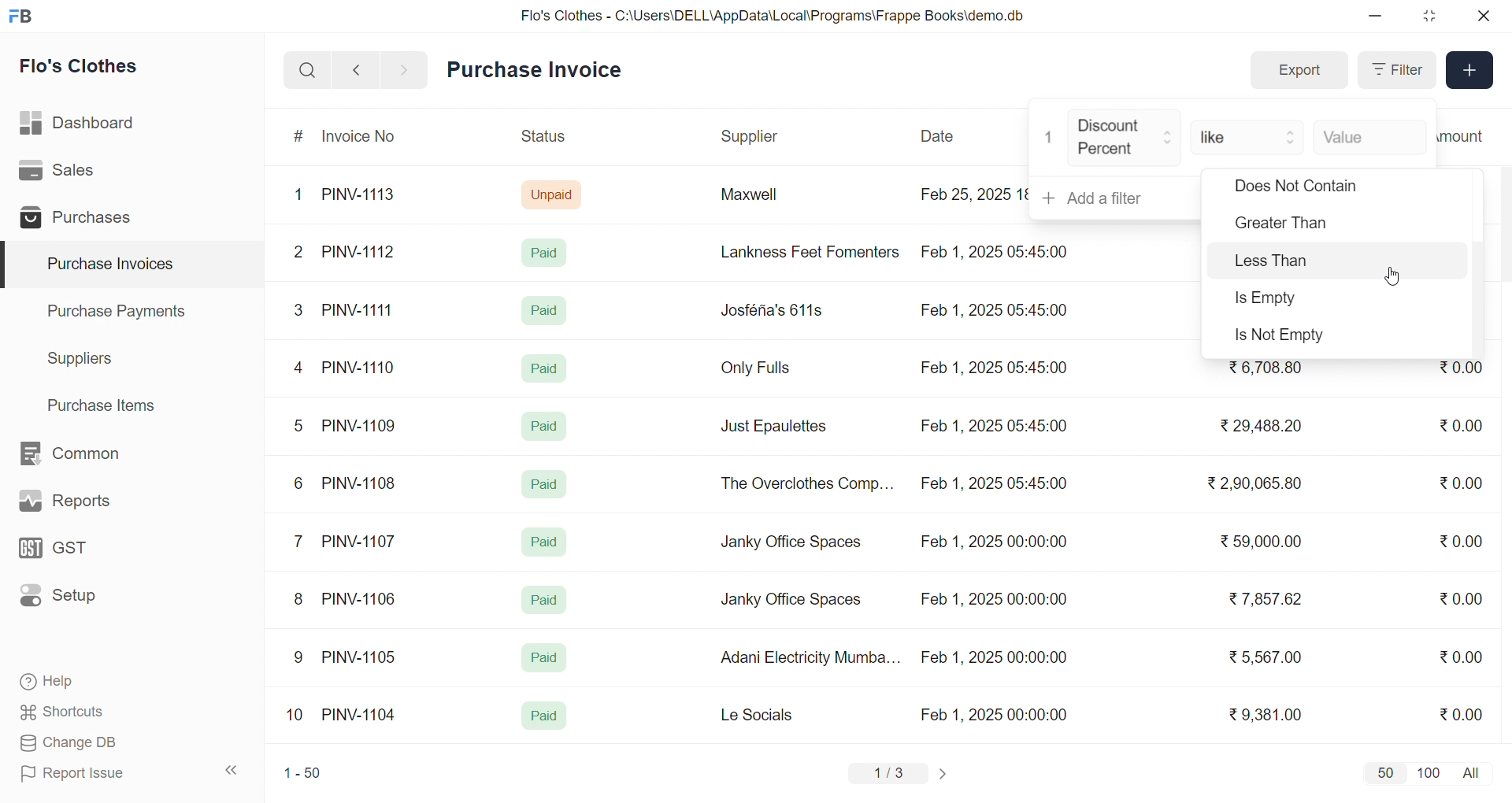 The image size is (1512, 803). I want to click on Paid, so click(543, 658).